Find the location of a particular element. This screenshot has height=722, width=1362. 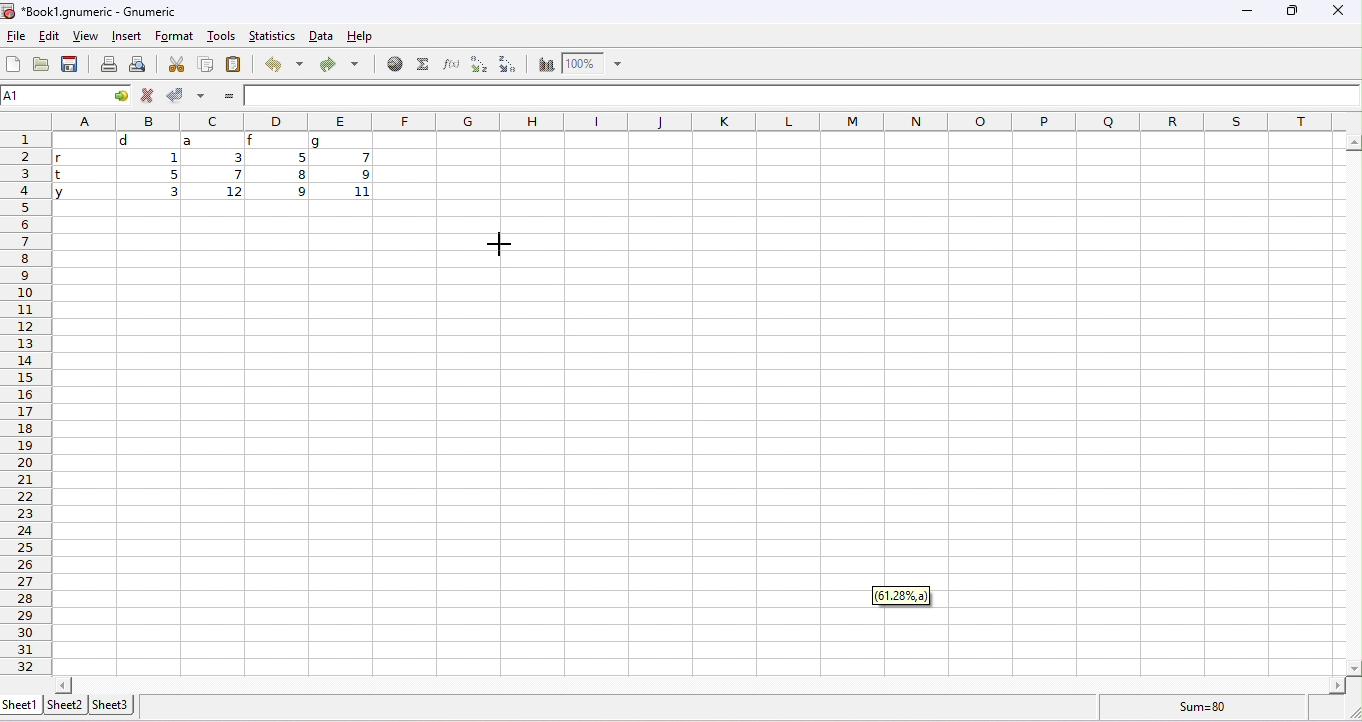

file is located at coordinates (14, 36).